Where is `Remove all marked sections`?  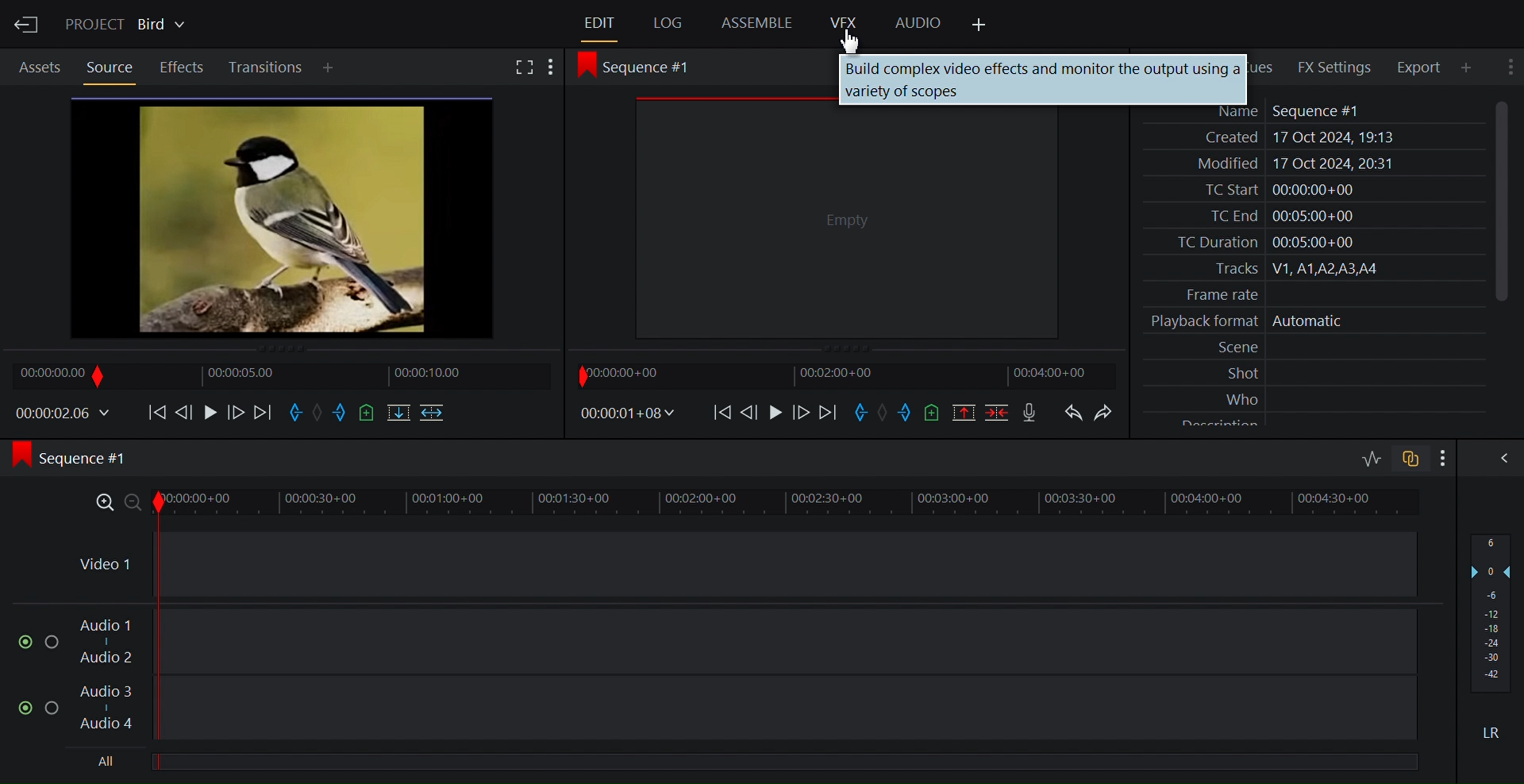
Remove all marked sections is located at coordinates (964, 413).